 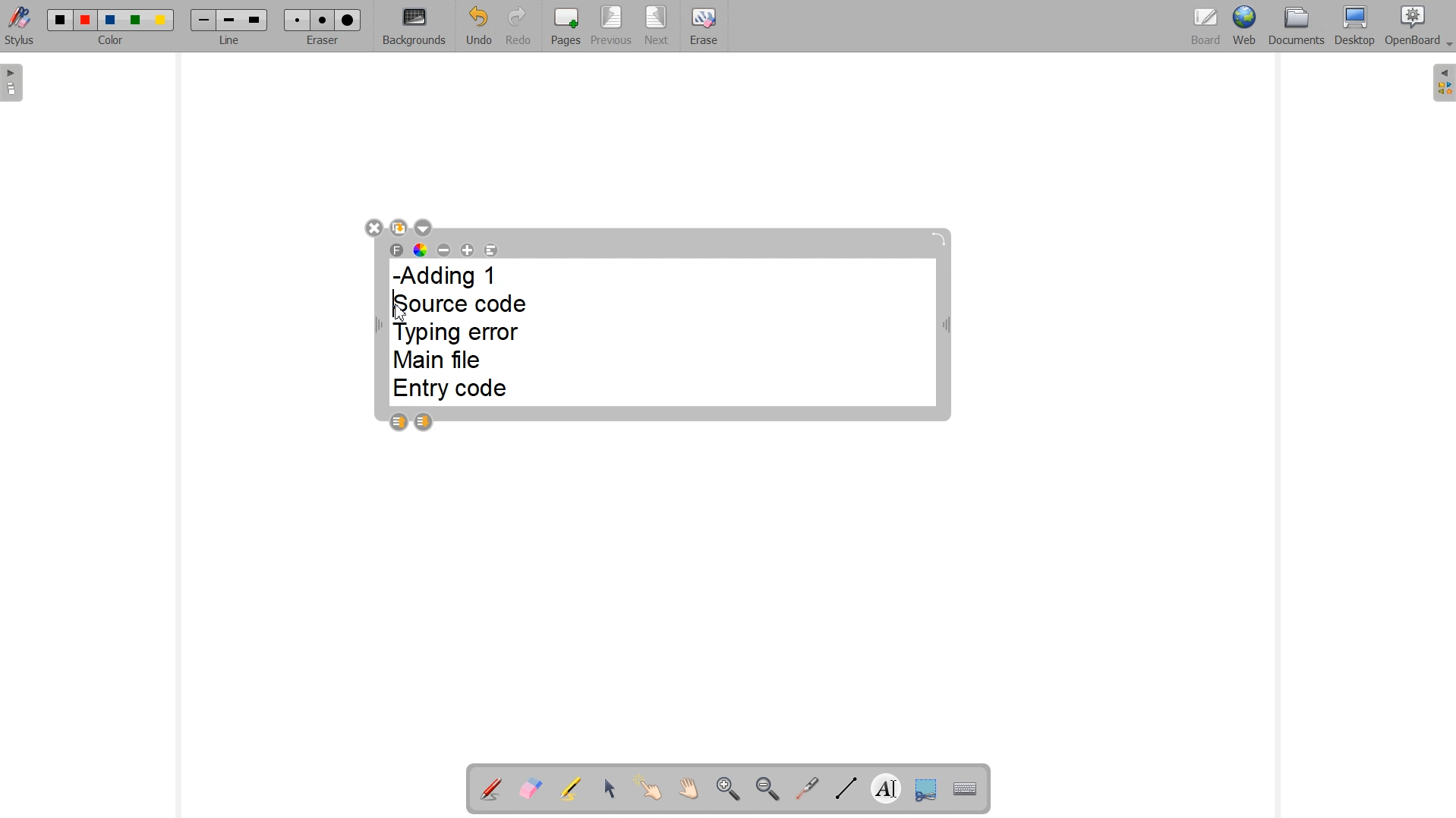 I want to click on Draw lines, so click(x=844, y=788).